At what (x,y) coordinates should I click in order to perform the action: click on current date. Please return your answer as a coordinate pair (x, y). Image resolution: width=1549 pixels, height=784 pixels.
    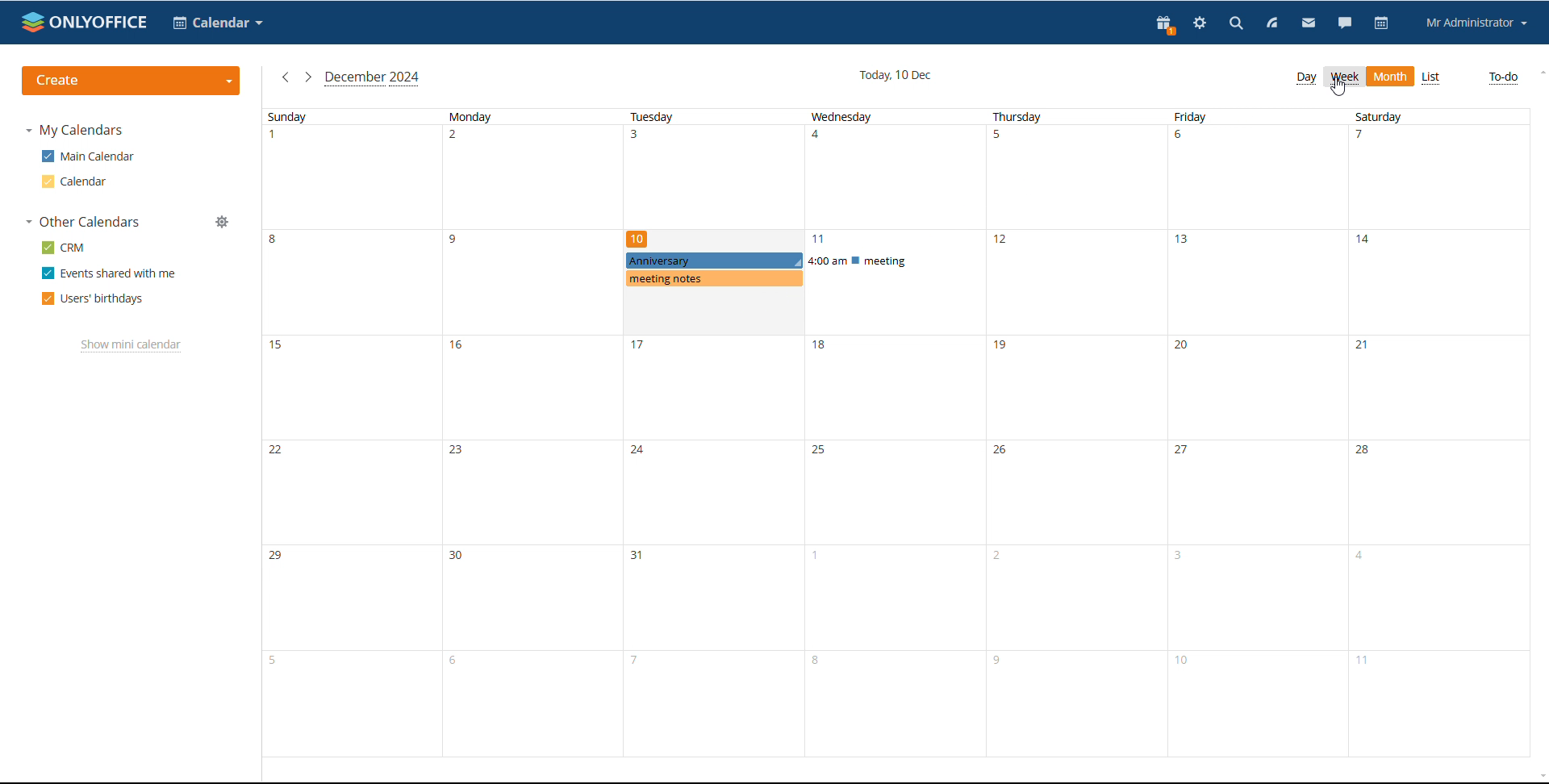
    Looking at the image, I should click on (896, 75).